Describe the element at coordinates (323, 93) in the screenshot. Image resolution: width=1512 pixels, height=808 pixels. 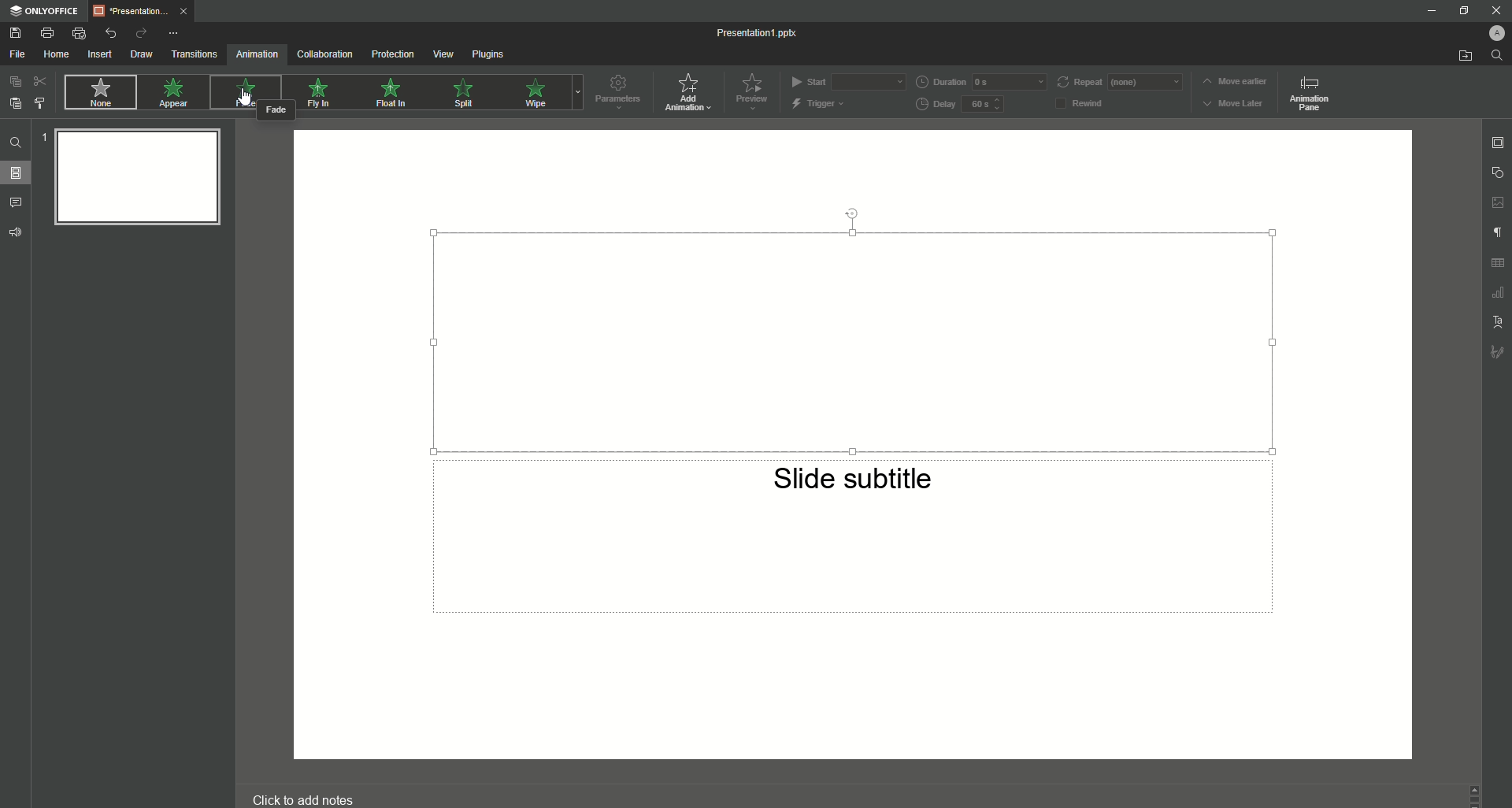
I see `Fly In` at that location.